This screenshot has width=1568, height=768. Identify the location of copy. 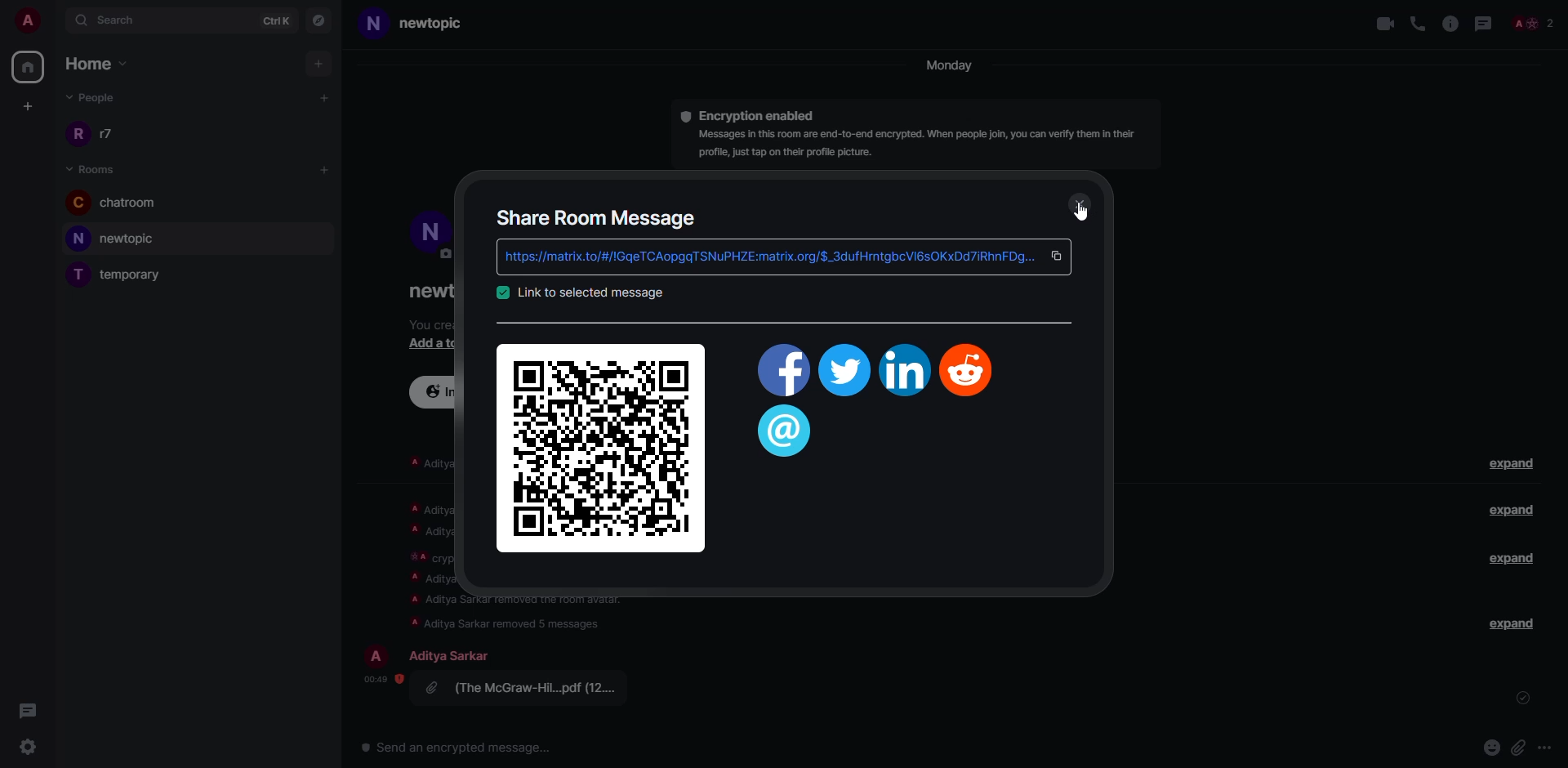
(1095, 255).